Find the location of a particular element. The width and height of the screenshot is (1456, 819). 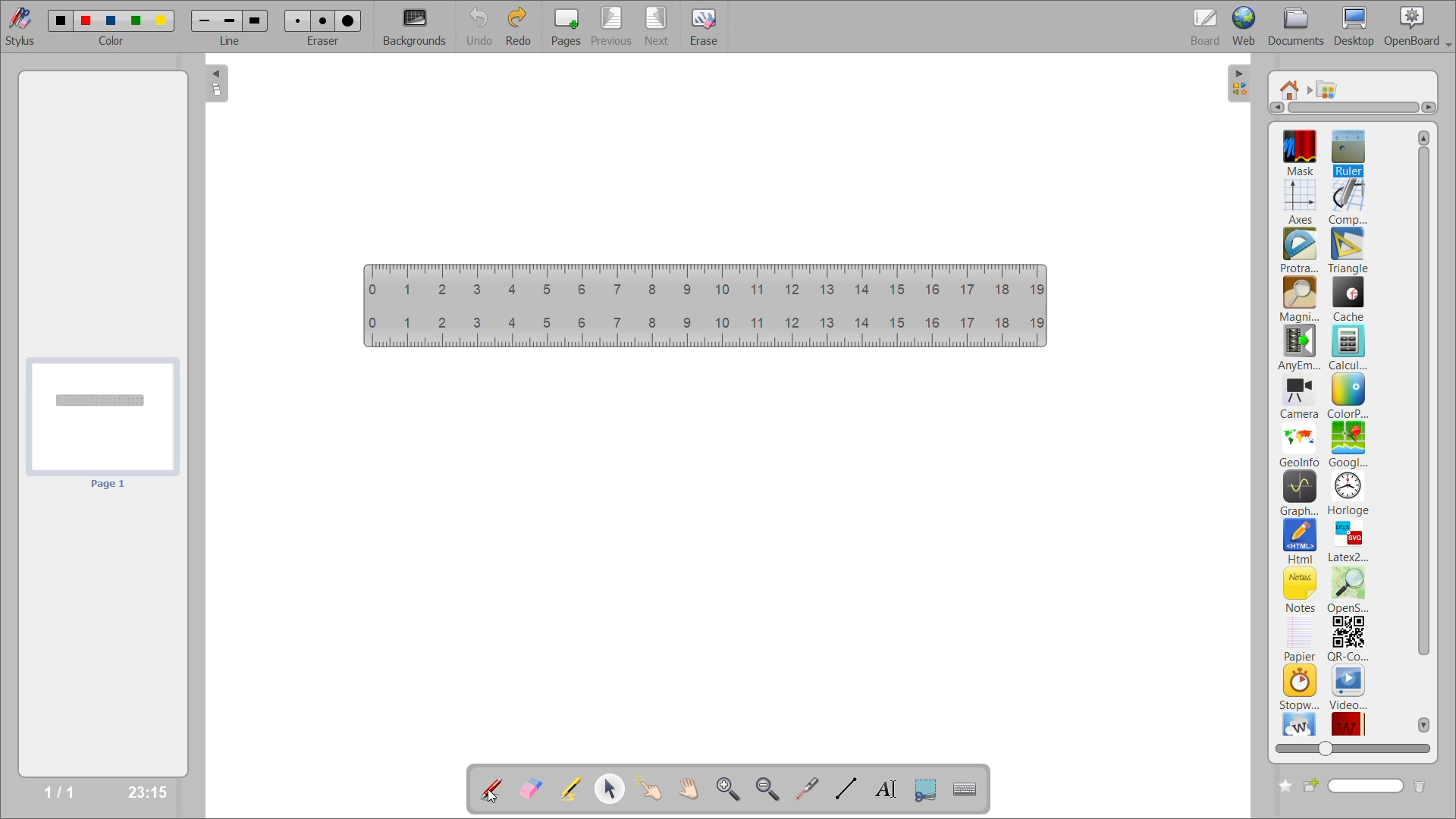

documents is located at coordinates (1298, 27).